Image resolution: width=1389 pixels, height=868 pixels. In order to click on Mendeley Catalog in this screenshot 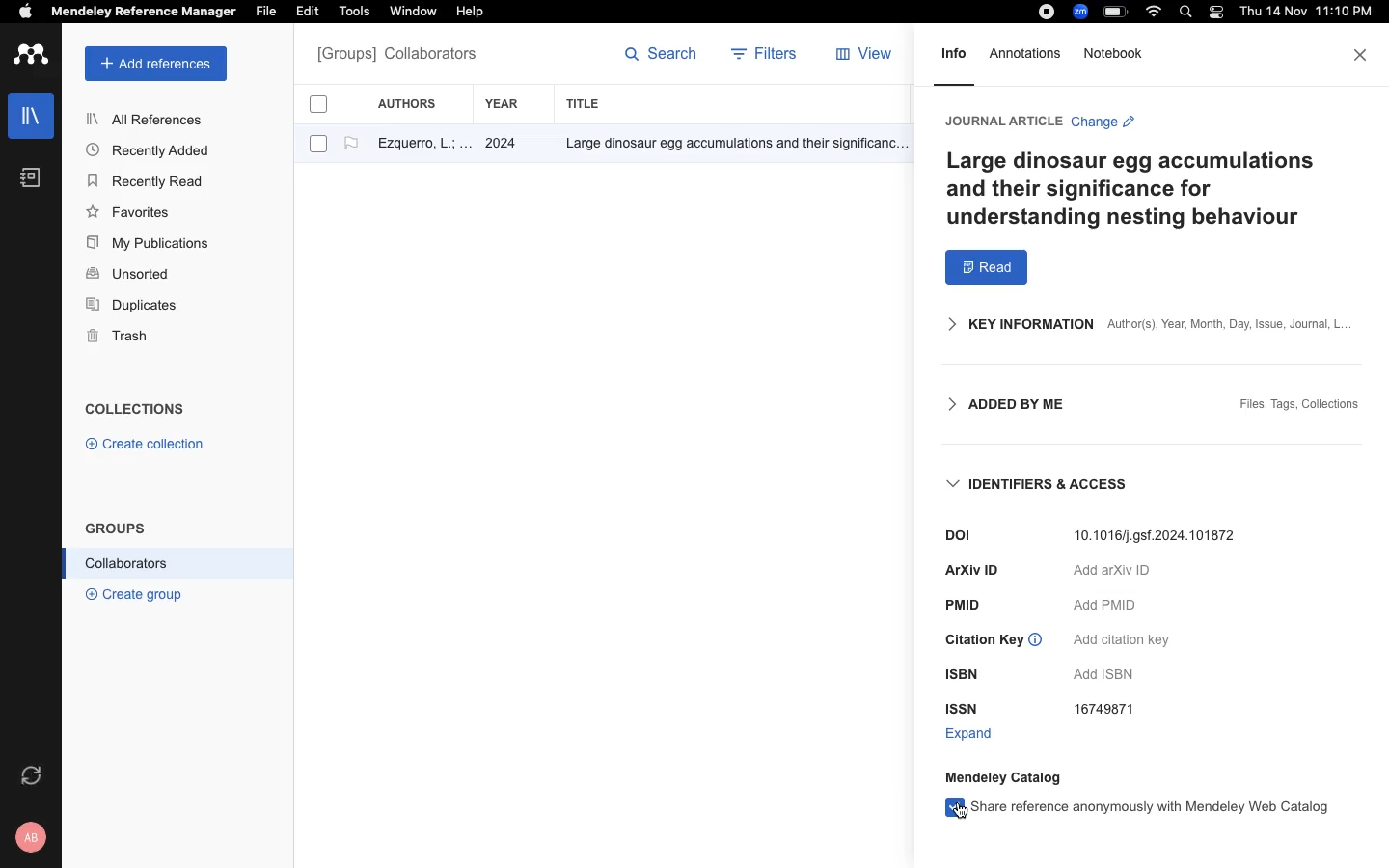, I will do `click(1008, 776)`.